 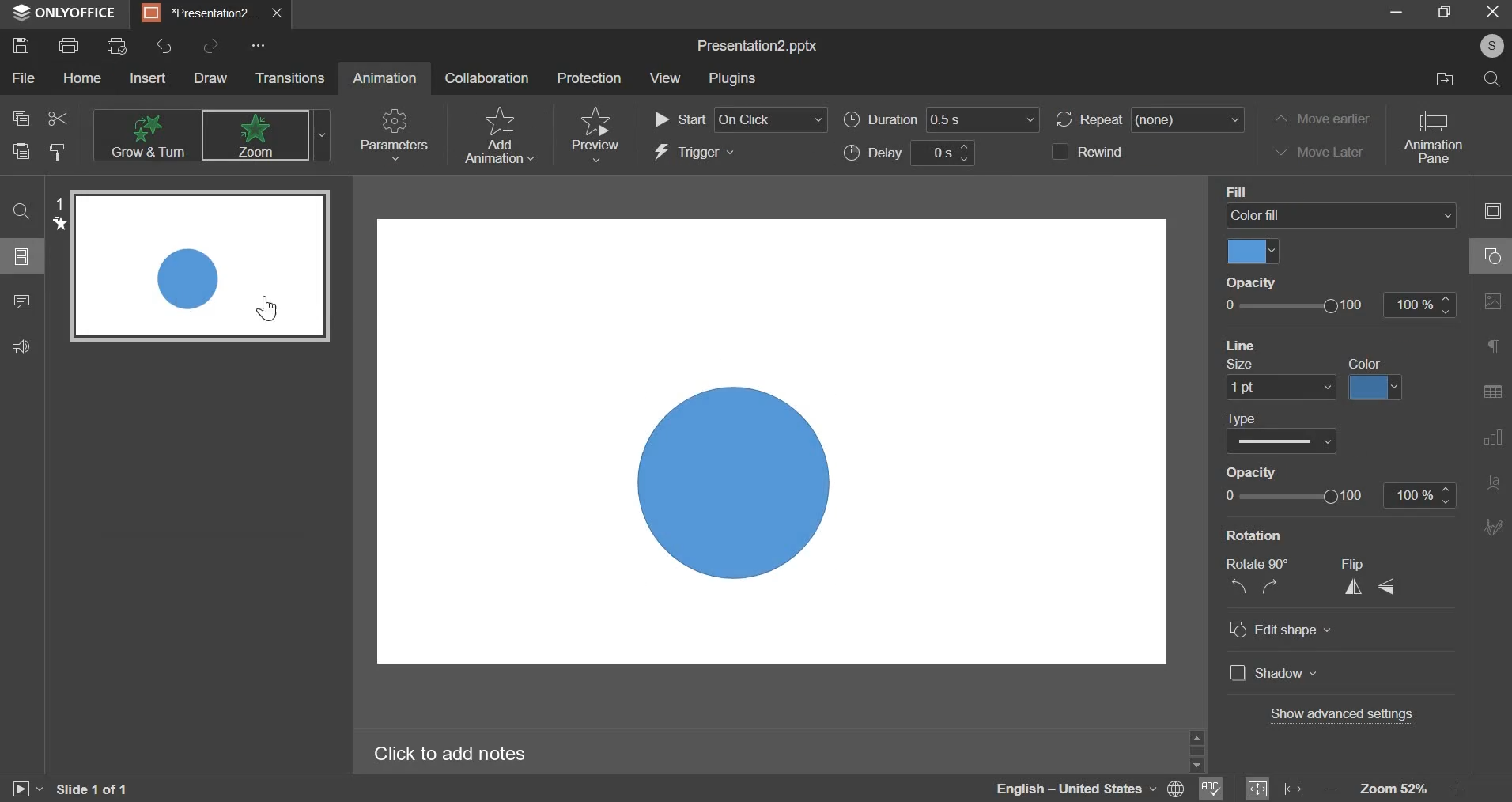 I want to click on start, so click(x=740, y=118).